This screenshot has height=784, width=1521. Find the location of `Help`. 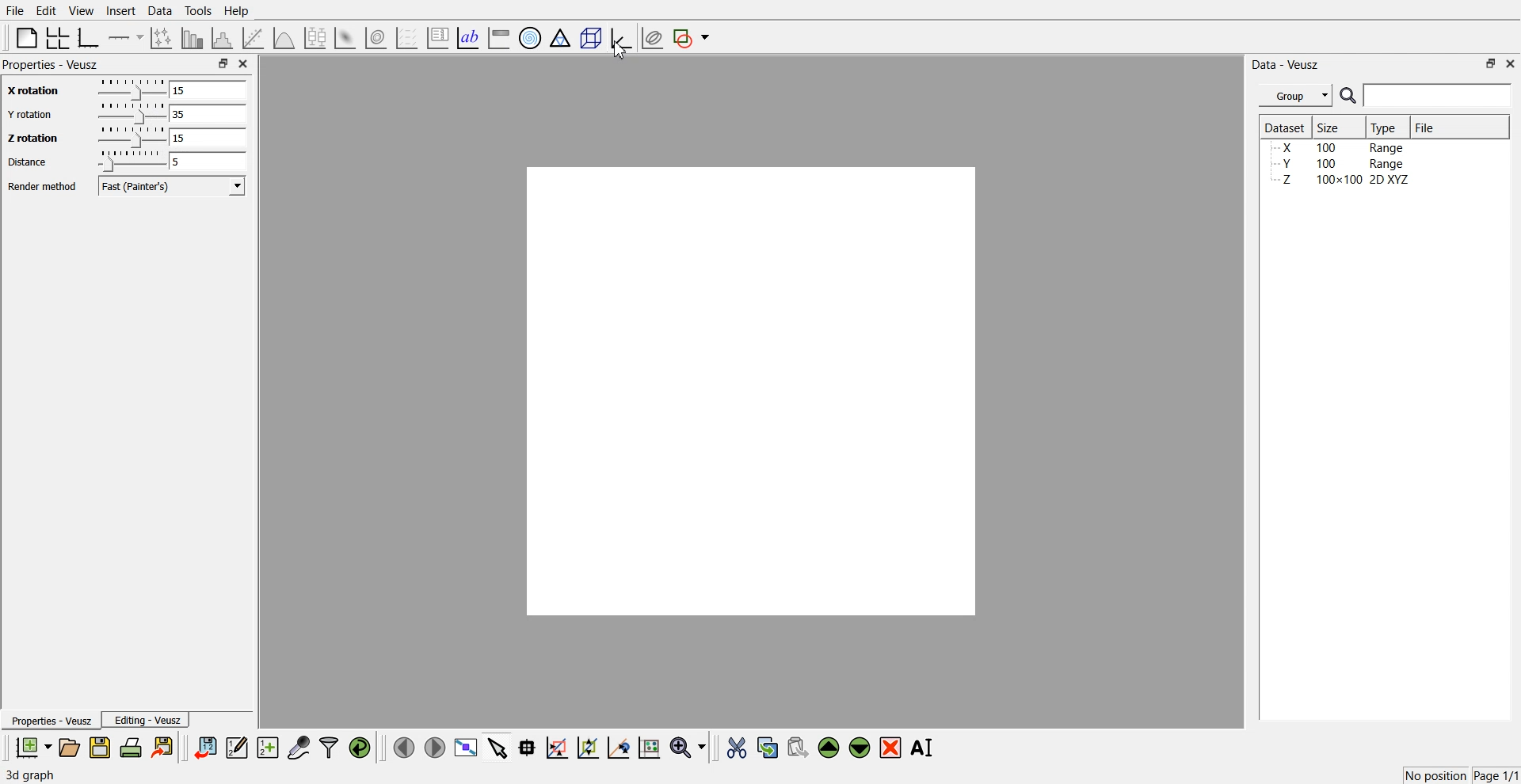

Help is located at coordinates (237, 11).